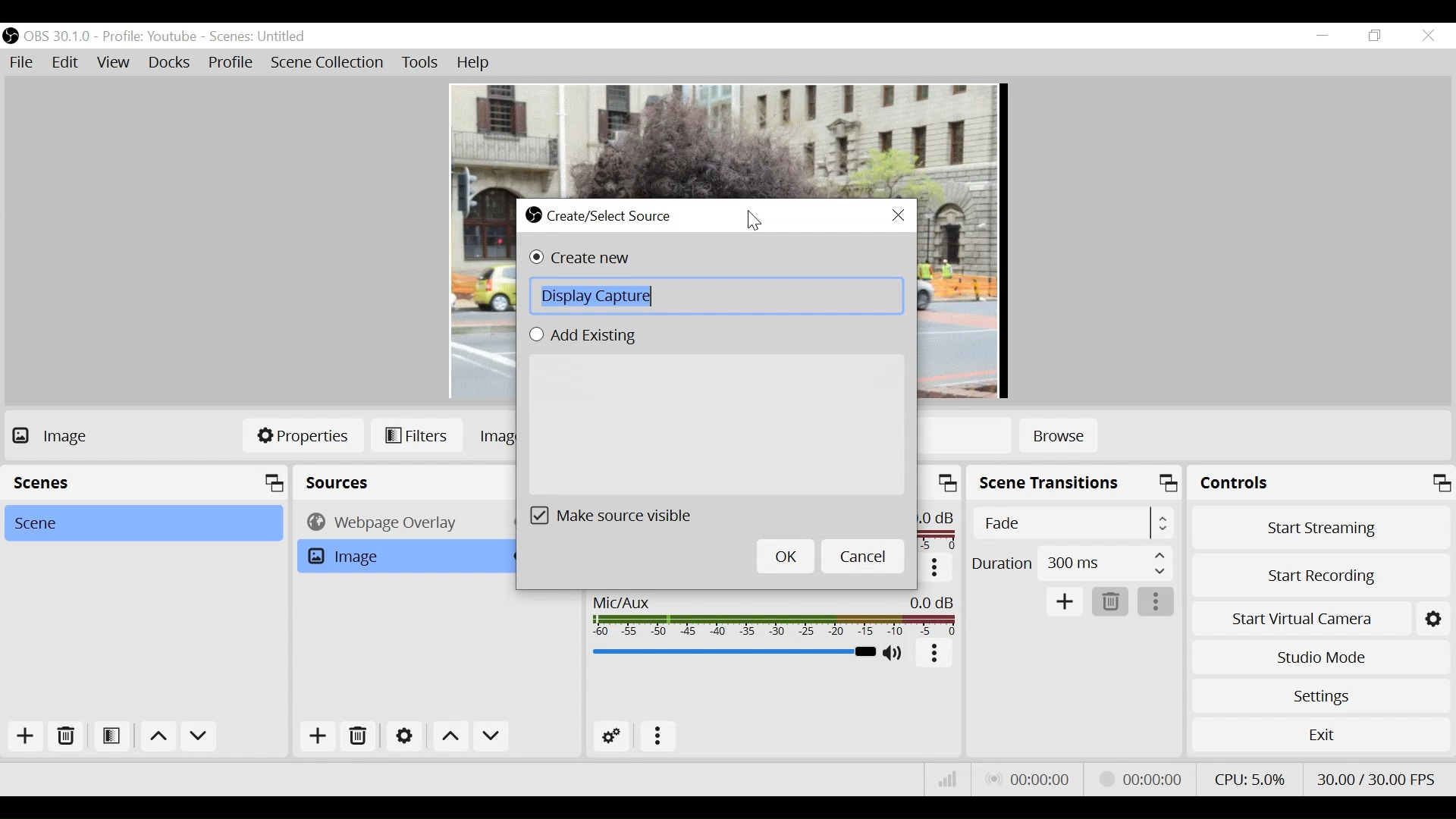 The height and width of the screenshot is (819, 1456). Describe the element at coordinates (935, 569) in the screenshot. I see `` at that location.